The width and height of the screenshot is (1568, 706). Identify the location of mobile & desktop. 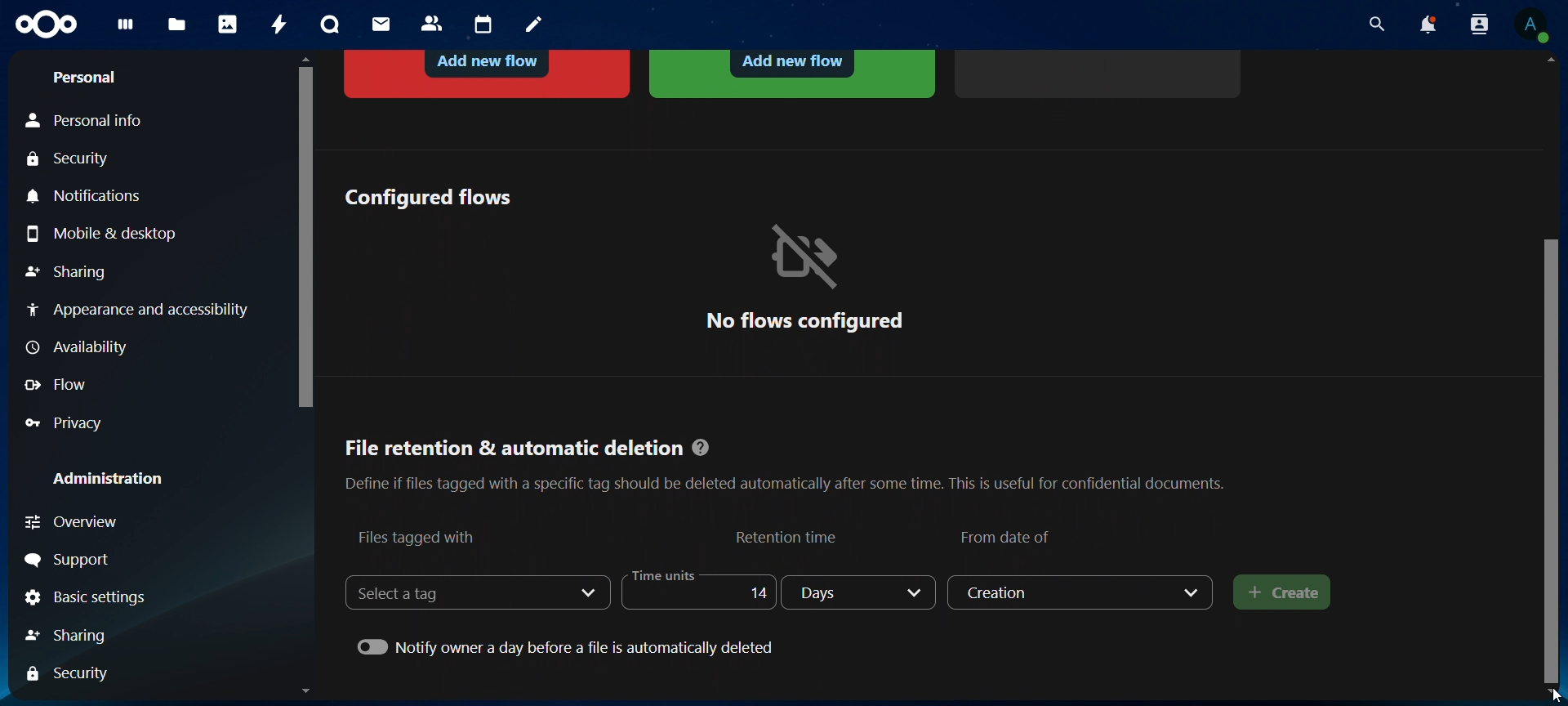
(106, 233).